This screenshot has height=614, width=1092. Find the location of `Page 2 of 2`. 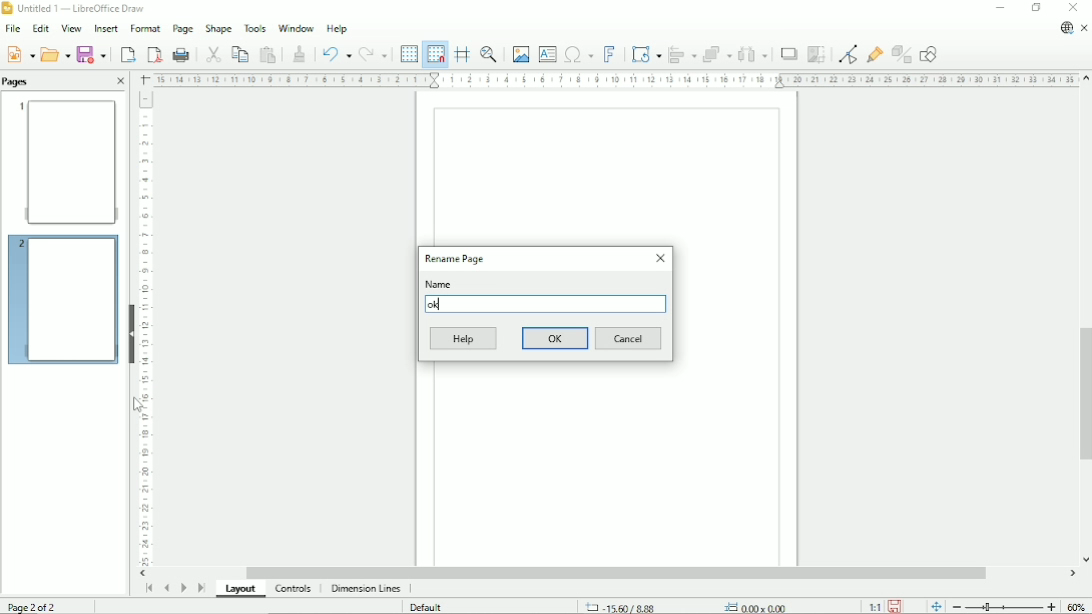

Page 2 of 2 is located at coordinates (36, 605).